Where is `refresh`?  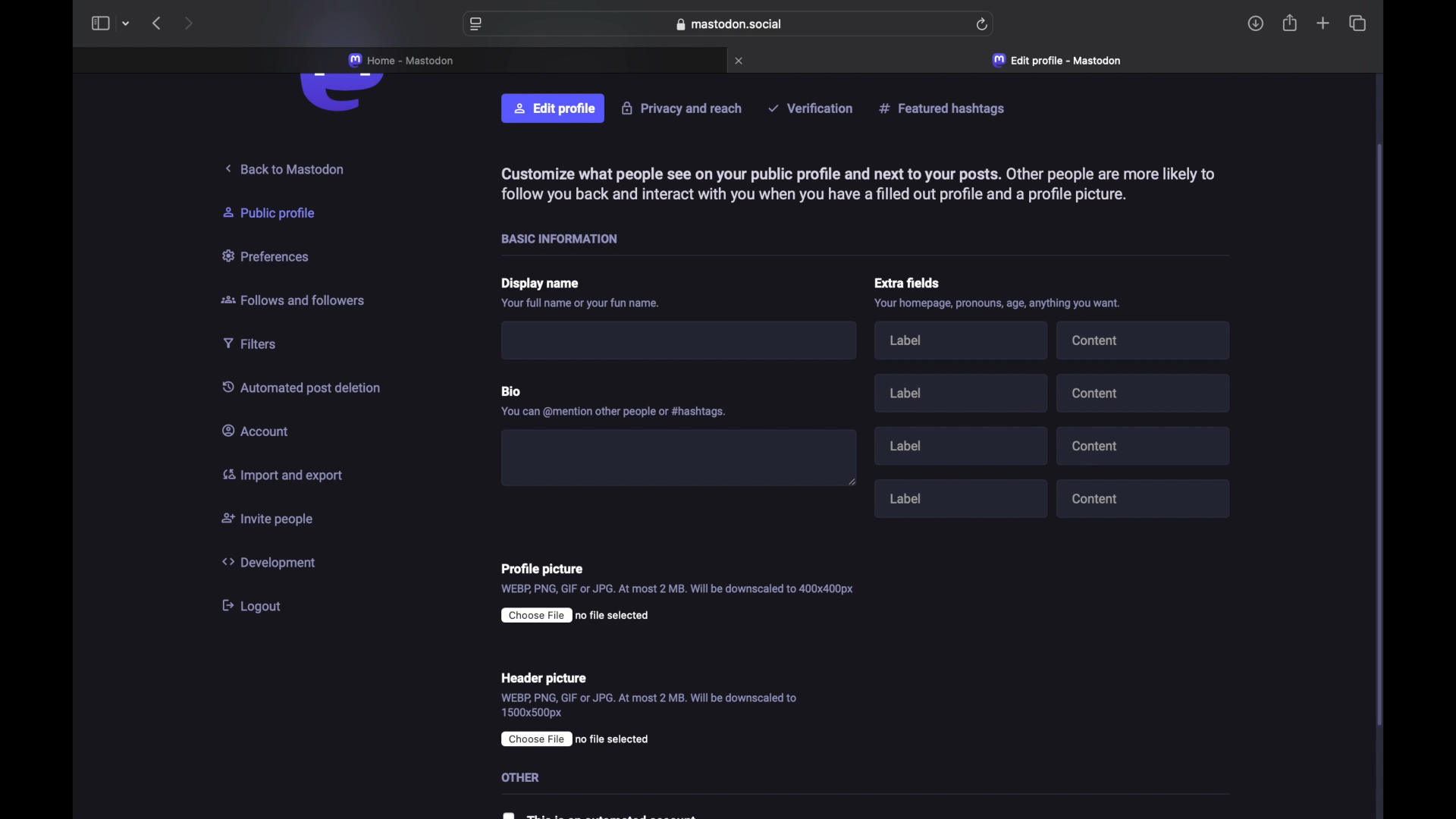
refresh is located at coordinates (983, 24).